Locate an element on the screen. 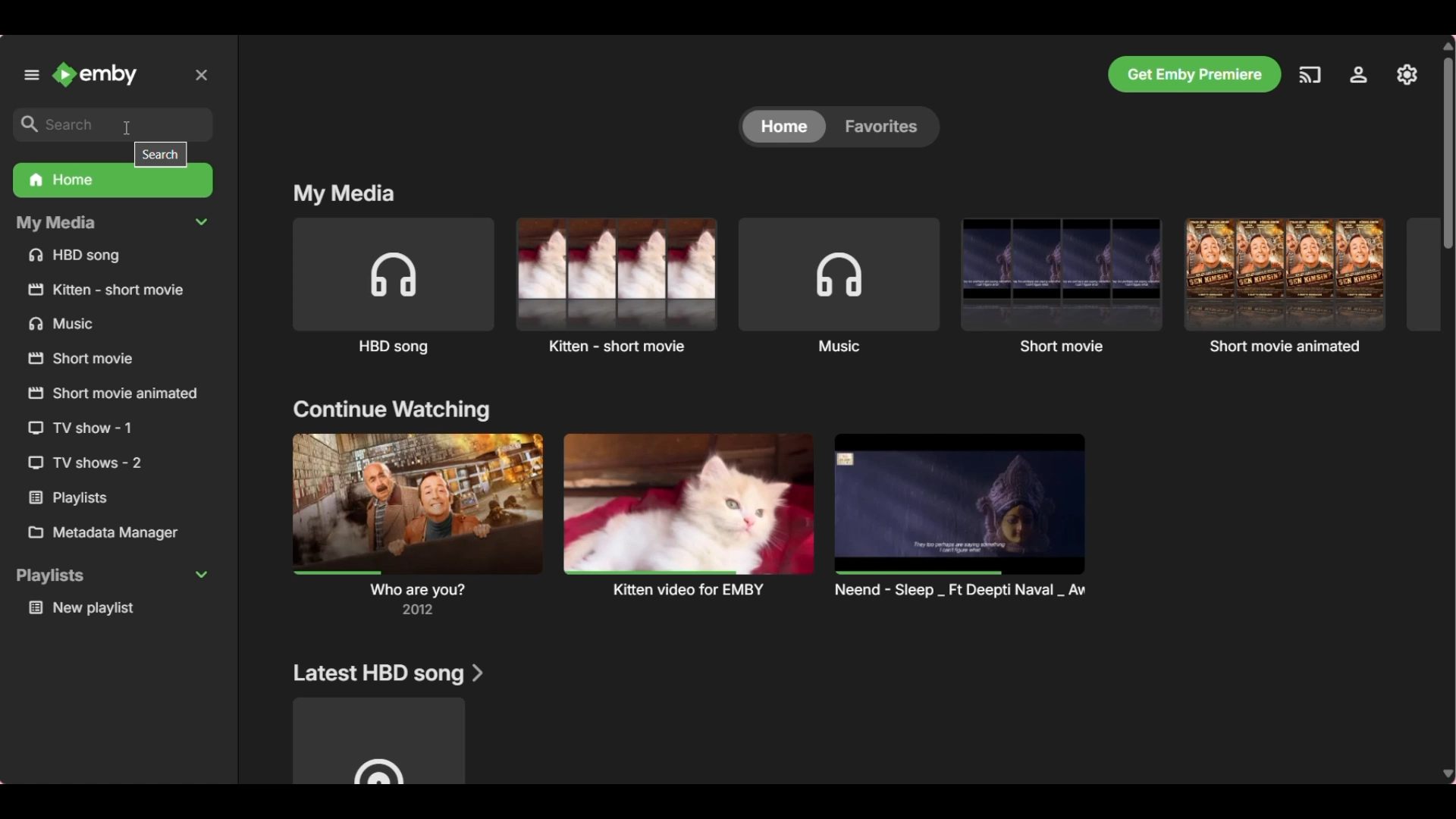   is located at coordinates (99, 464).